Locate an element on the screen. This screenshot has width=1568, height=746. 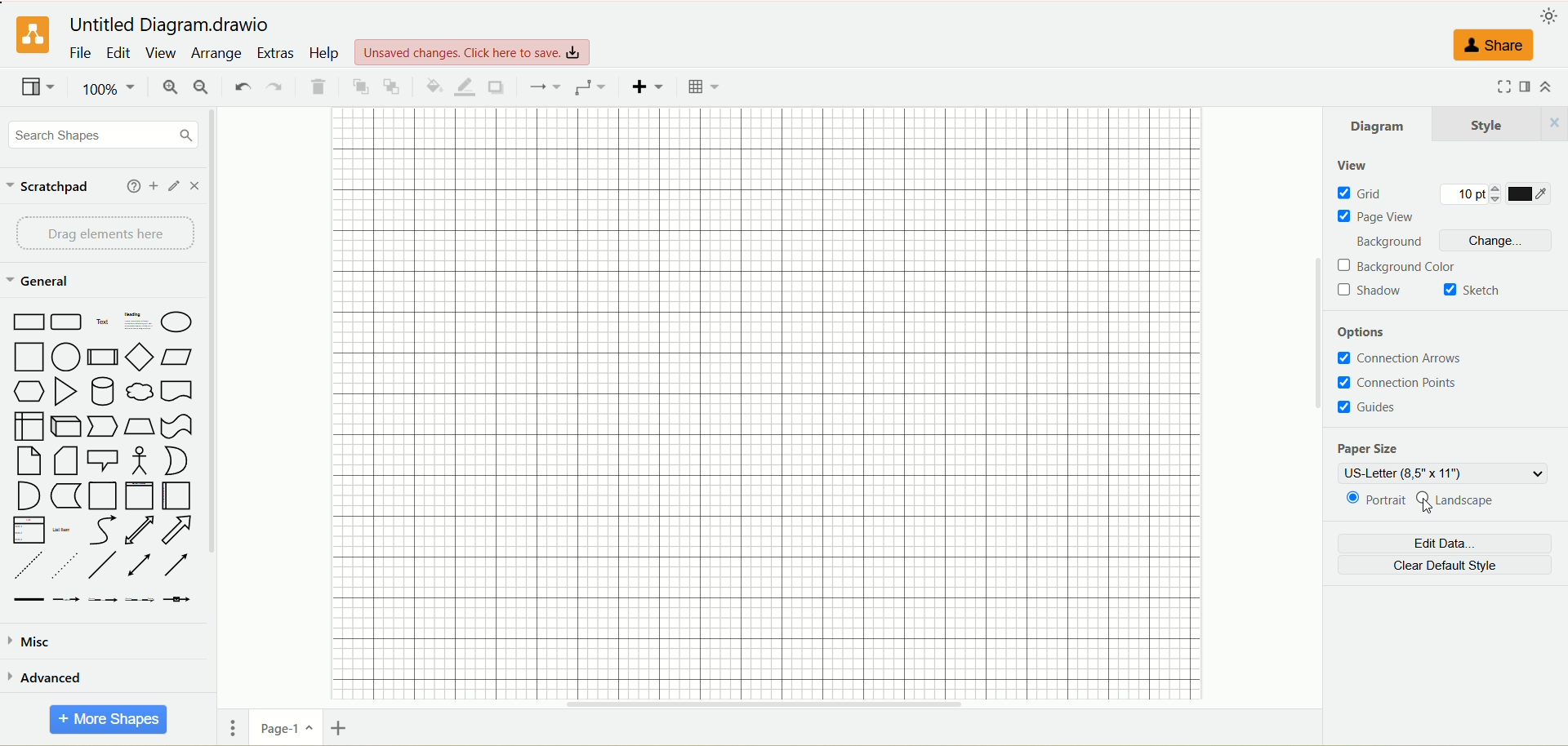
view is located at coordinates (160, 52).